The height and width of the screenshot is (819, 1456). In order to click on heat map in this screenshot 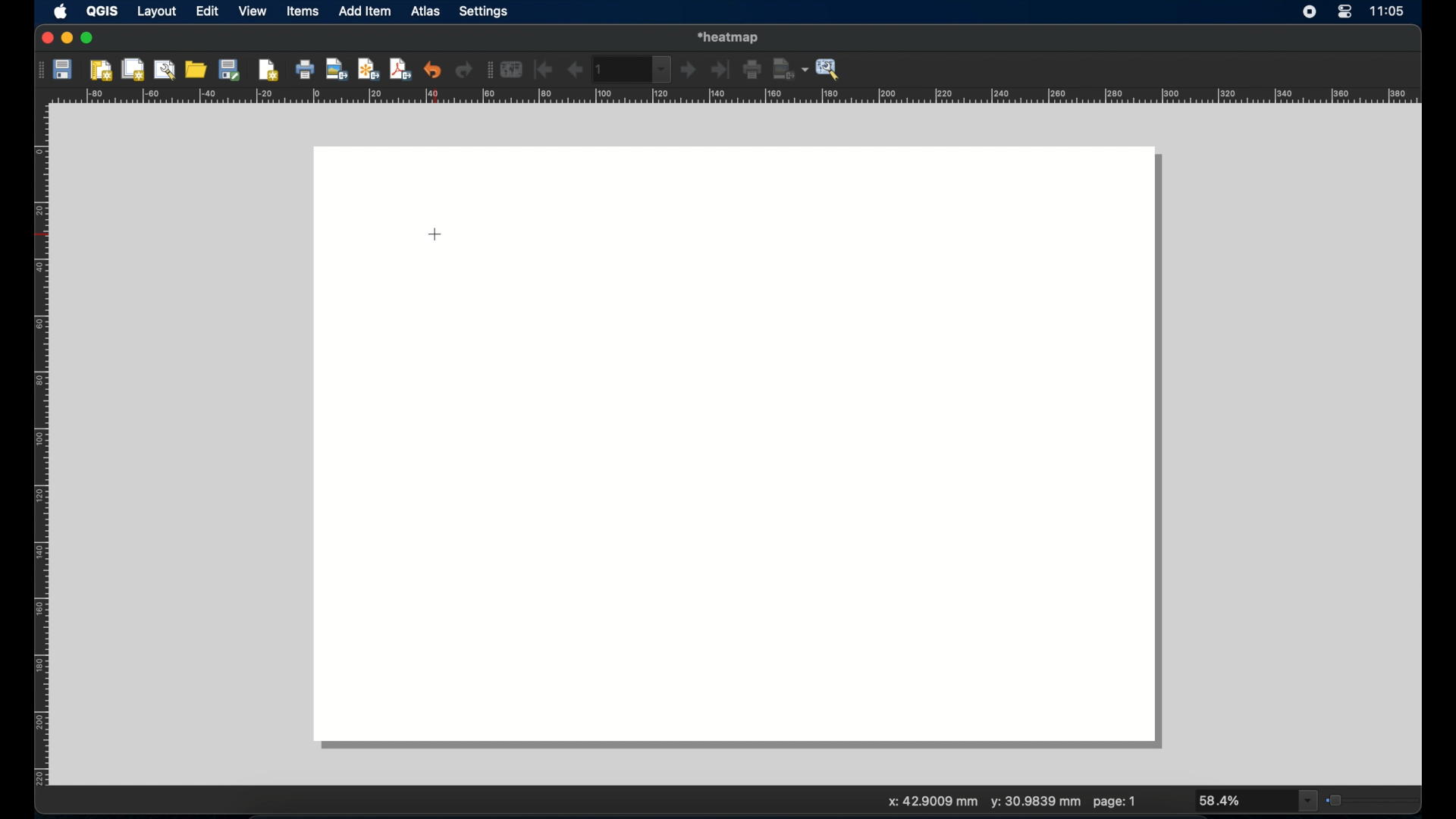, I will do `click(732, 36)`.